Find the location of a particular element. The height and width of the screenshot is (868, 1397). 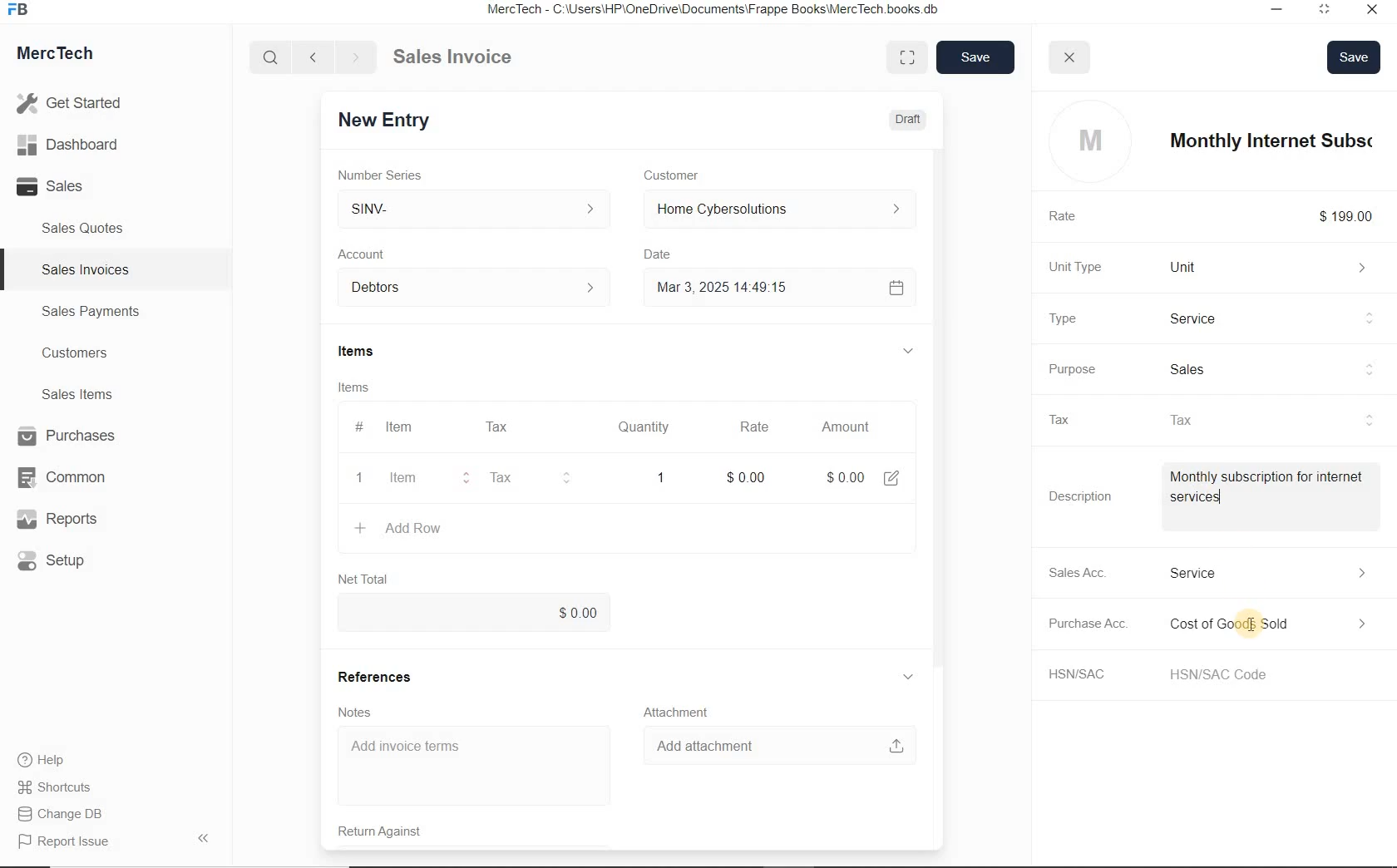

Description is located at coordinates (1073, 496).